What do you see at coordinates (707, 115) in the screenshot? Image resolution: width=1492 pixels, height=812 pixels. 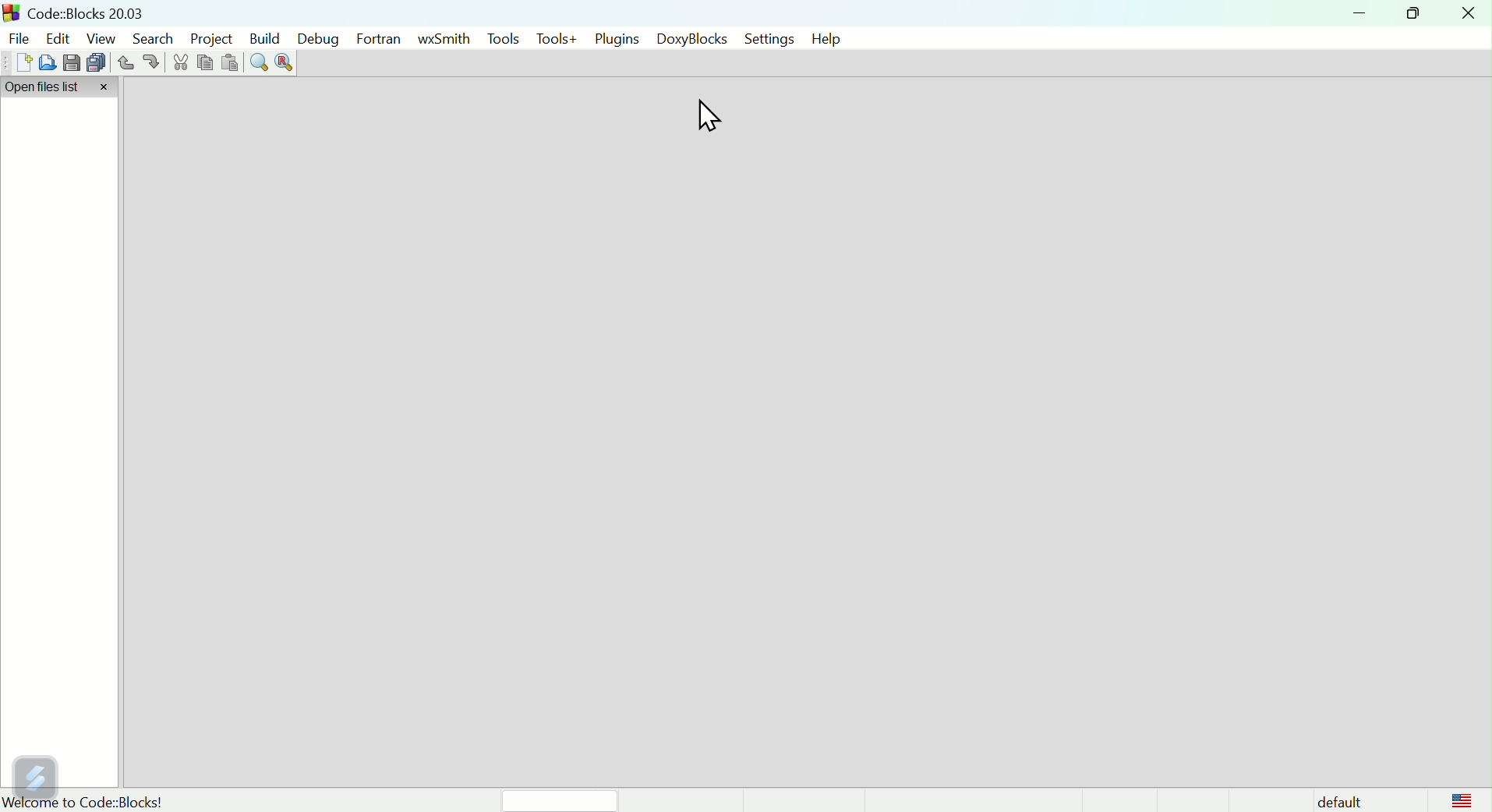 I see `Cursor` at bounding box center [707, 115].